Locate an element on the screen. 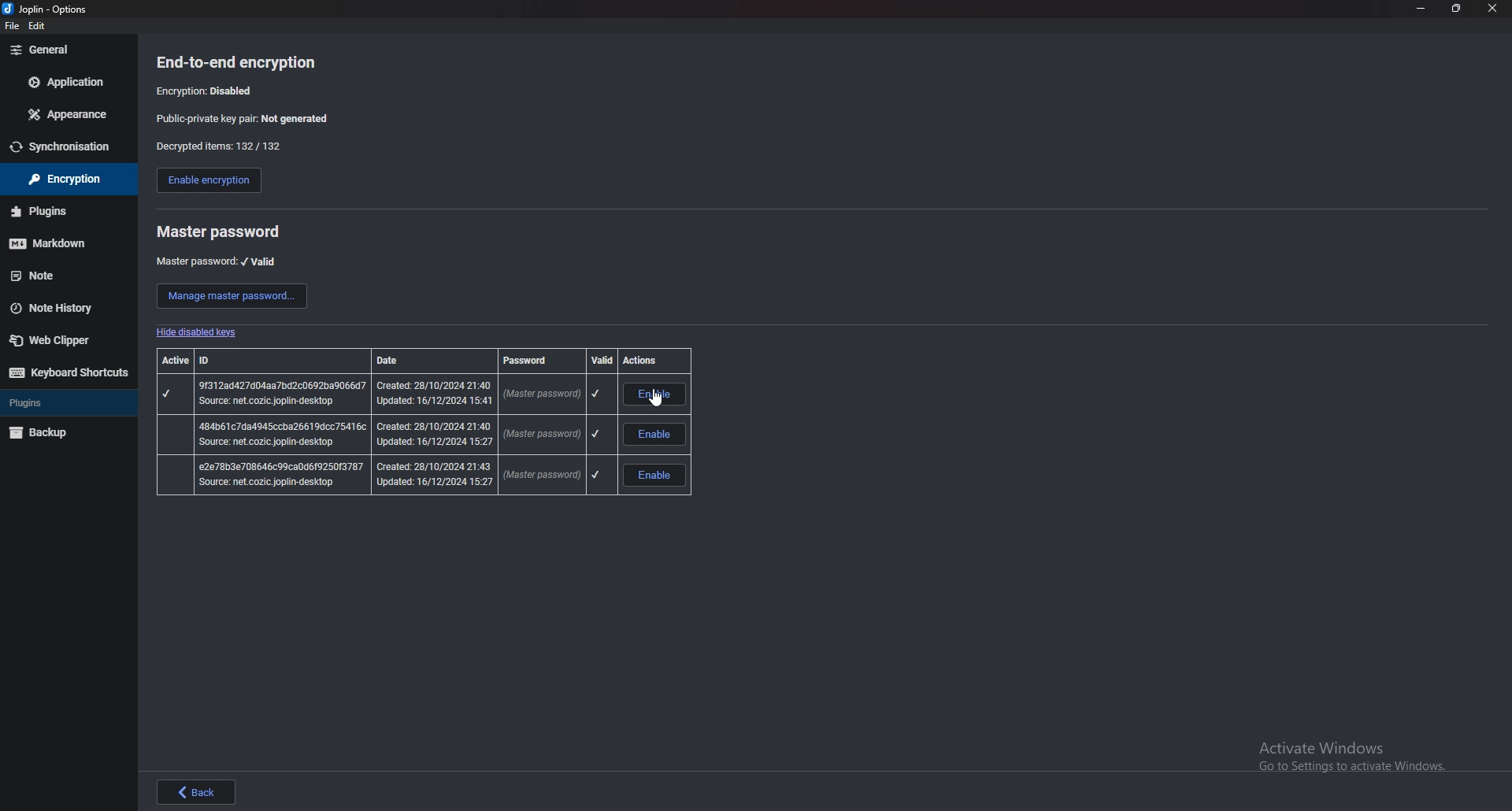 This screenshot has height=811, width=1512. encryption is located at coordinates (68, 179).